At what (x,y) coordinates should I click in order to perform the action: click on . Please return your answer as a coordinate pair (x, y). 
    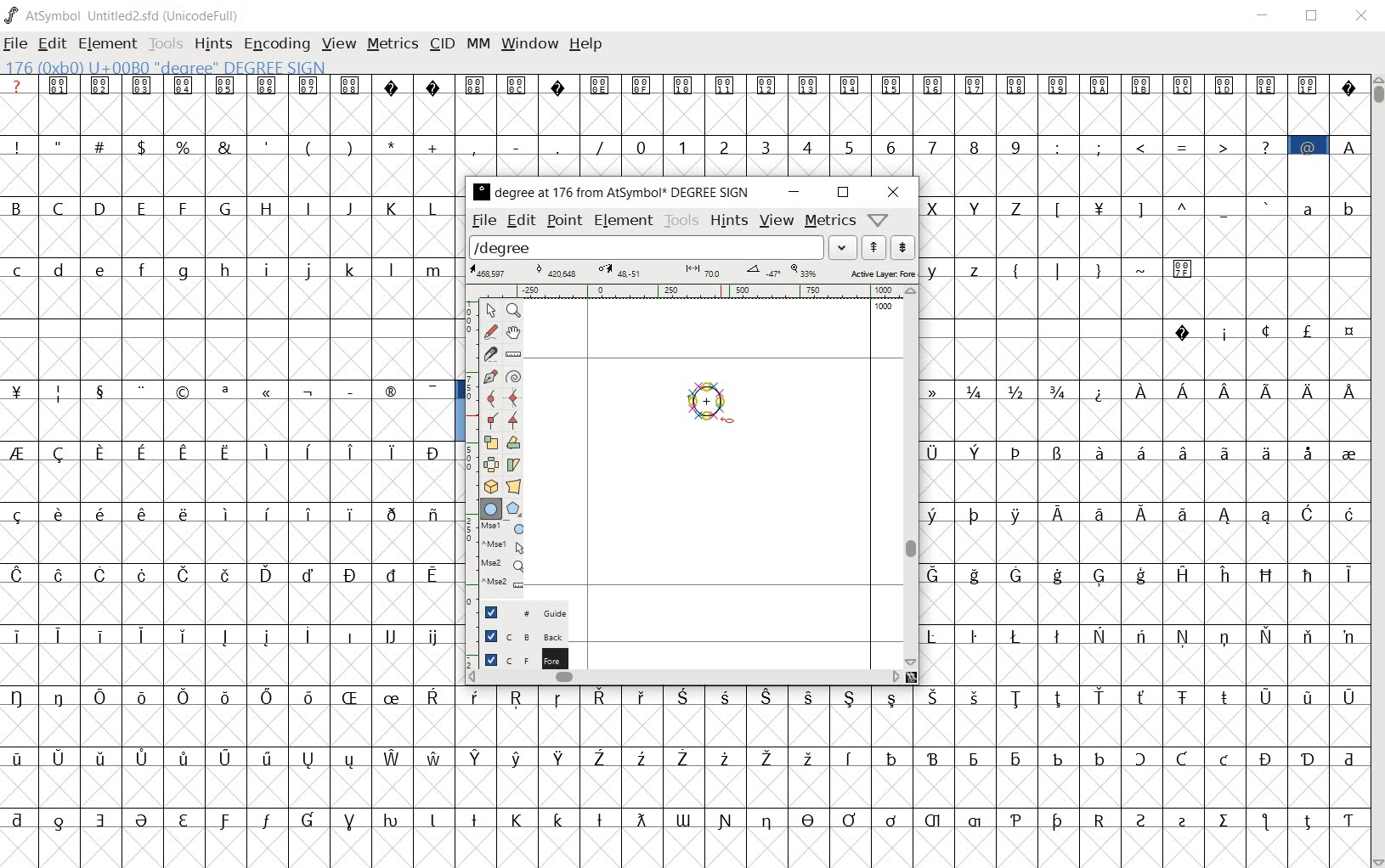
    Looking at the image, I should click on (224, 573).